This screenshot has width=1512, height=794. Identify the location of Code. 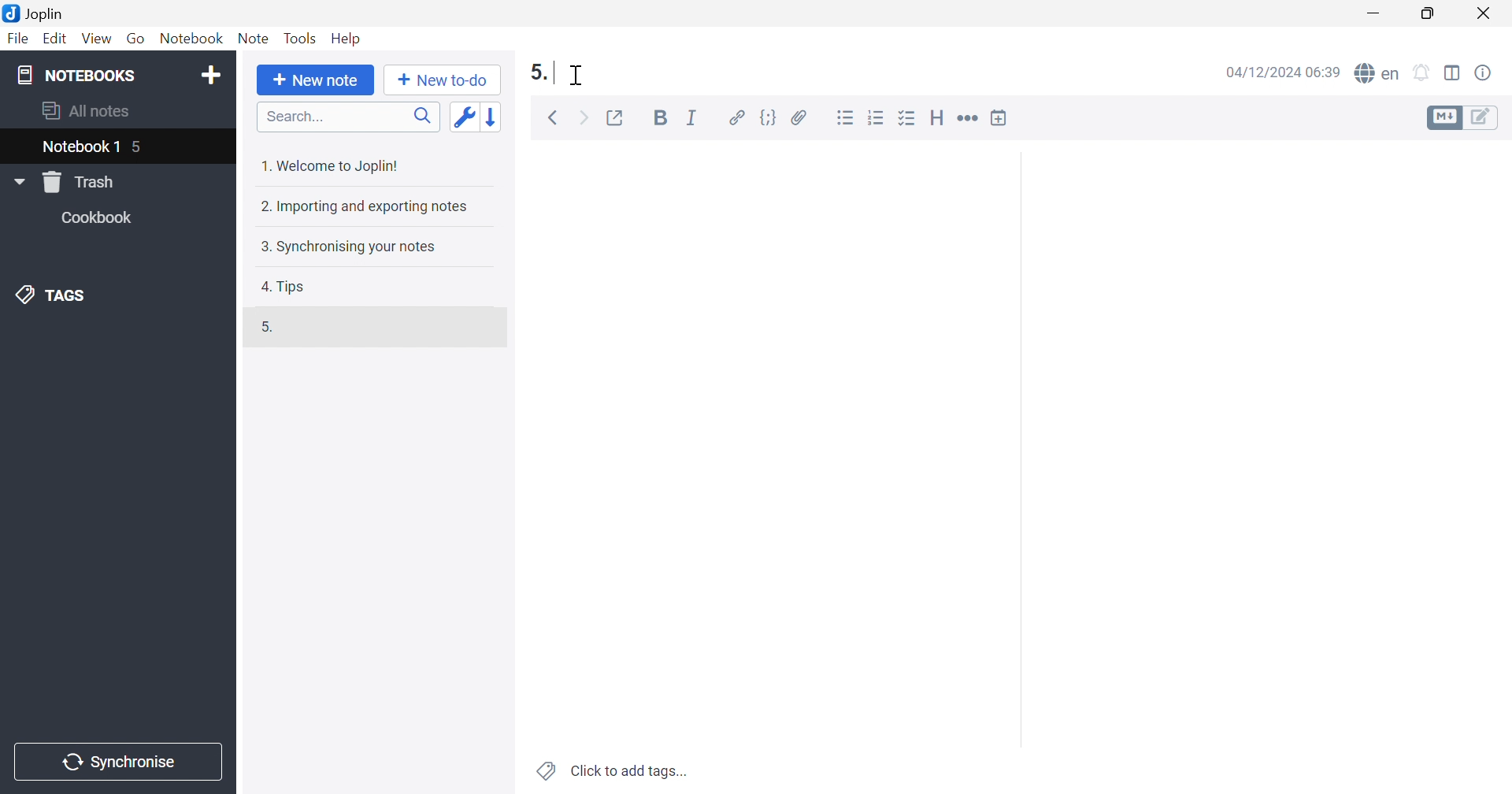
(769, 117).